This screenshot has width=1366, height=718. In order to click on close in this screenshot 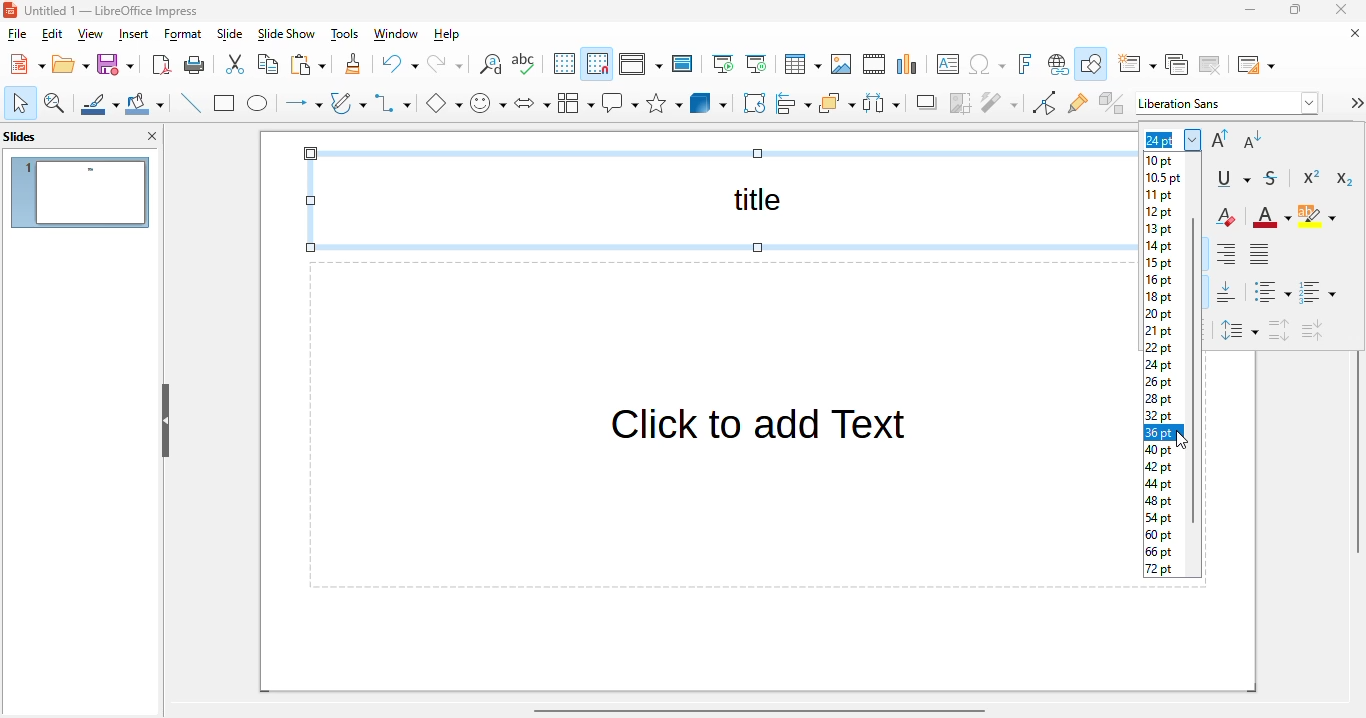, I will do `click(1341, 10)`.